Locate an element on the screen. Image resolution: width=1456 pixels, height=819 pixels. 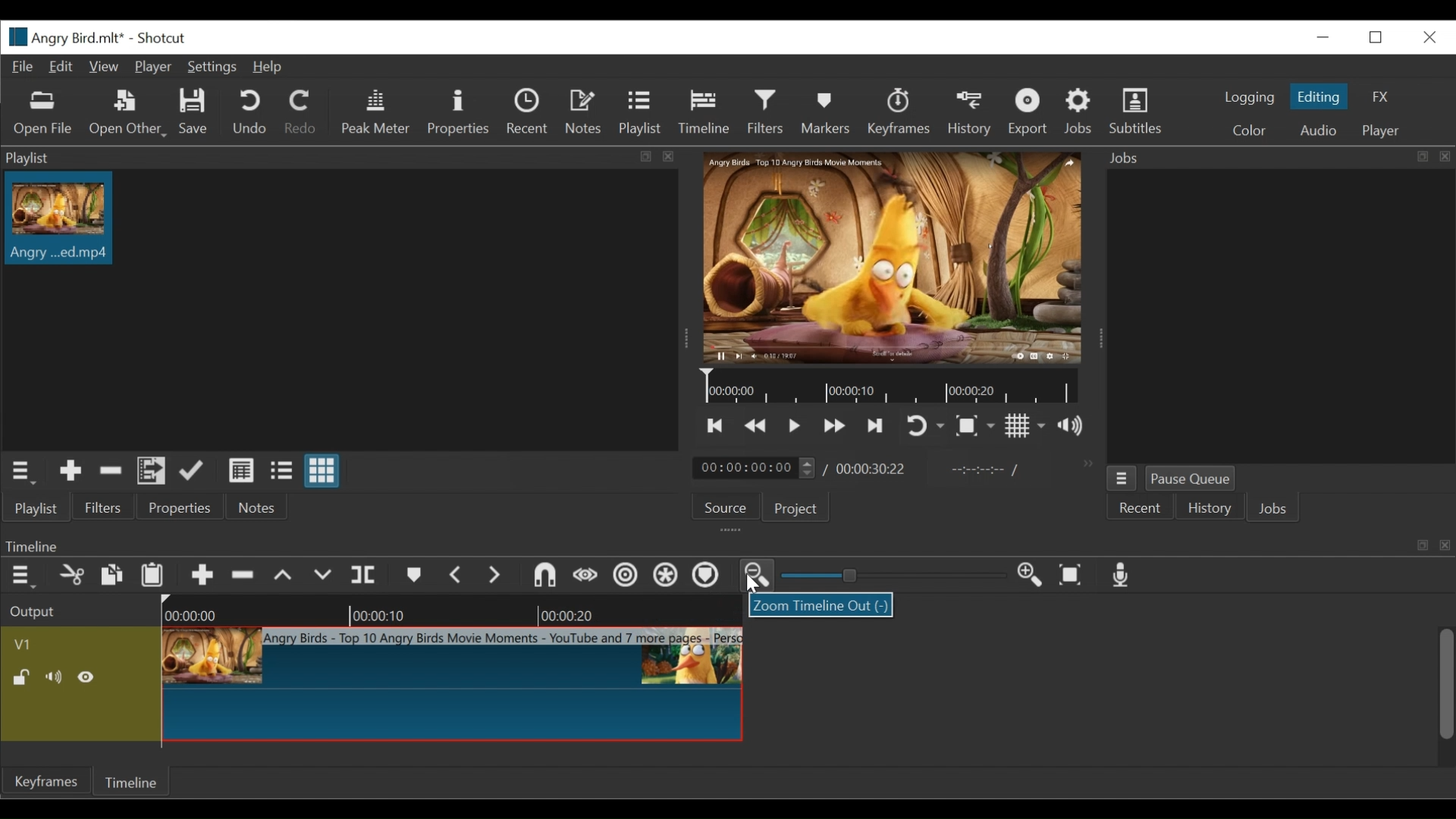
View is located at coordinates (102, 67).